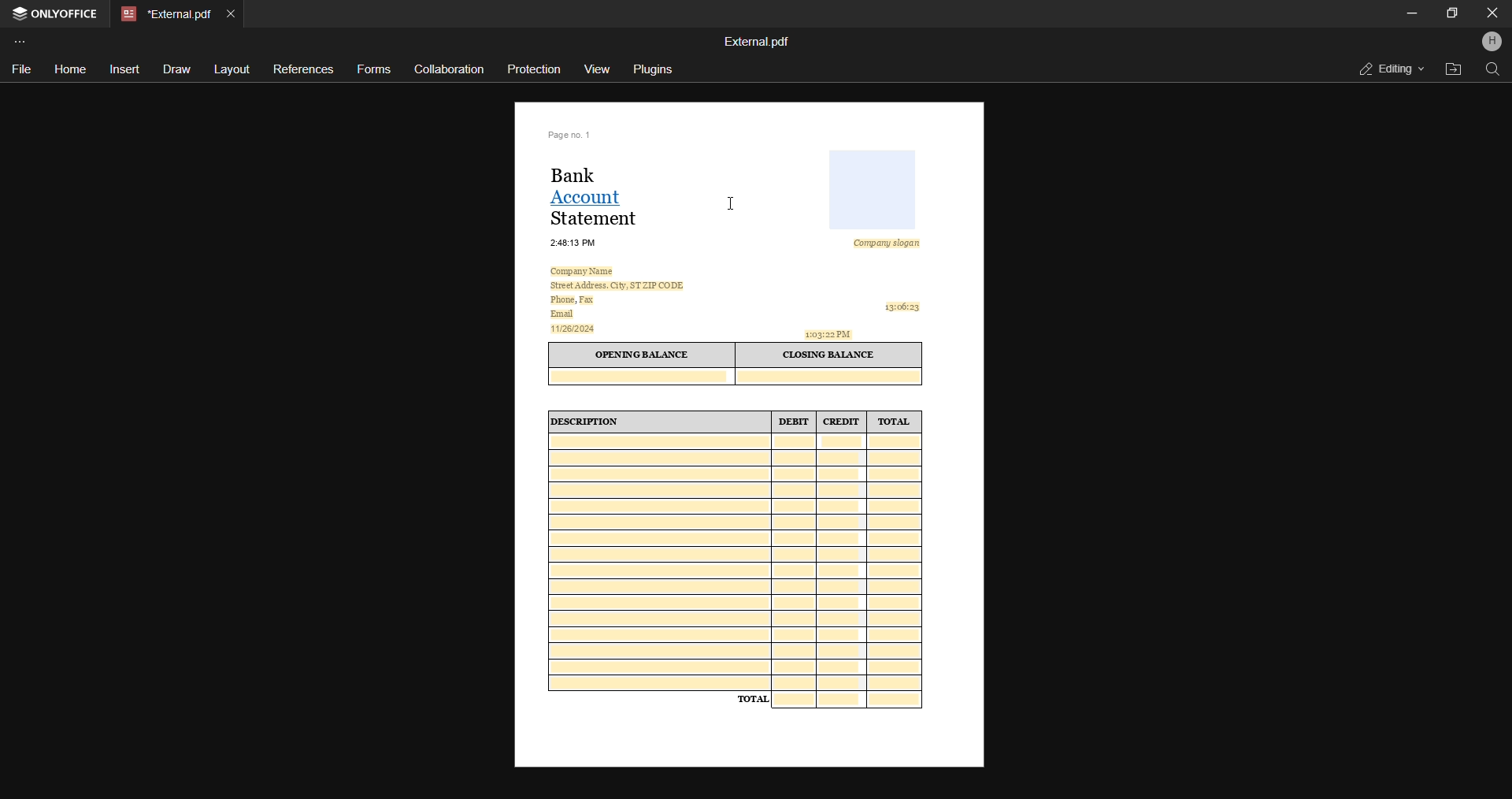  I want to click on minimize, so click(1411, 13).